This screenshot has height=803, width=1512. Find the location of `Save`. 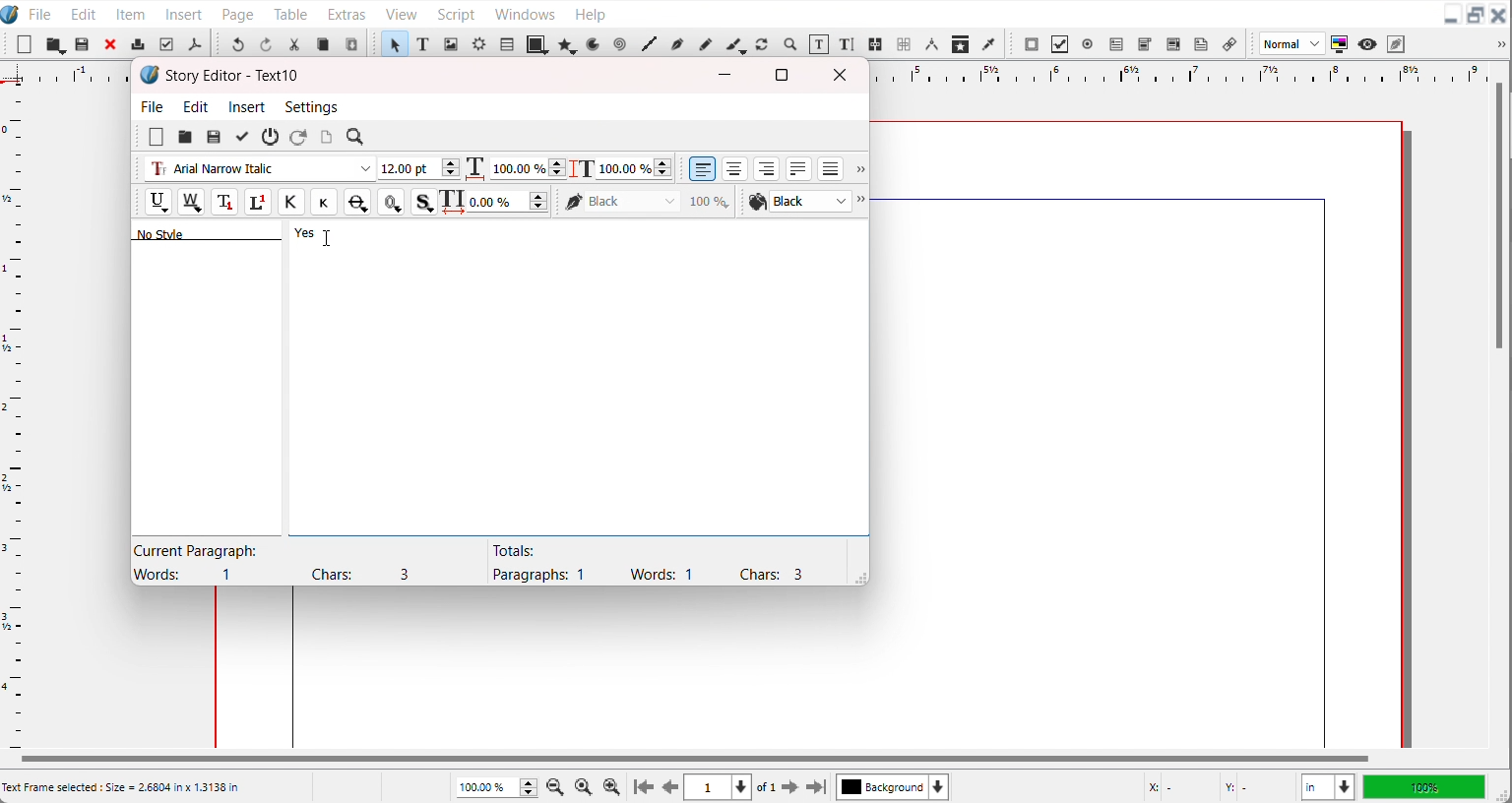

Save is located at coordinates (214, 137).